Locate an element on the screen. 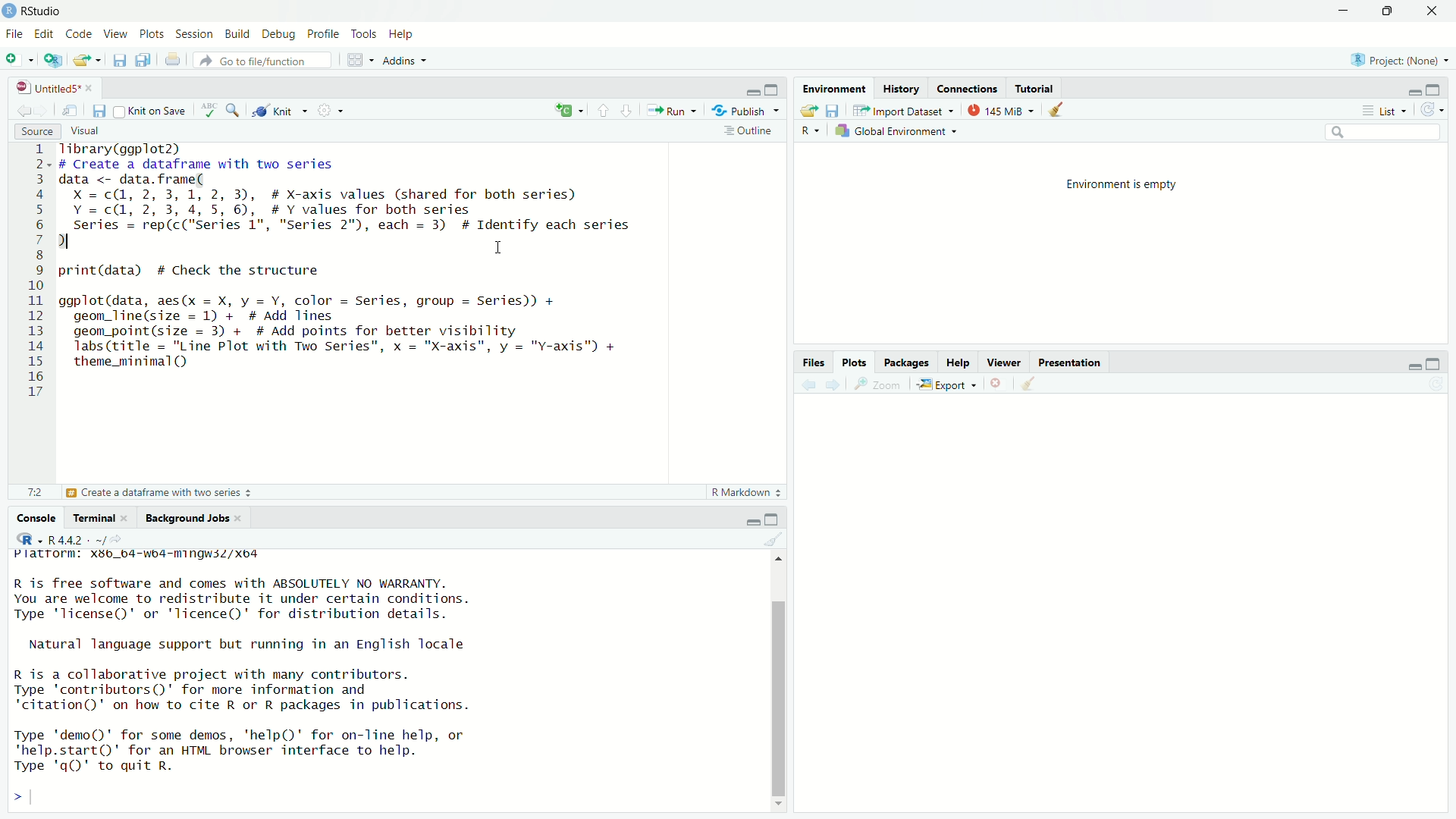 This screenshot has height=819, width=1456. minimize is located at coordinates (1342, 11).